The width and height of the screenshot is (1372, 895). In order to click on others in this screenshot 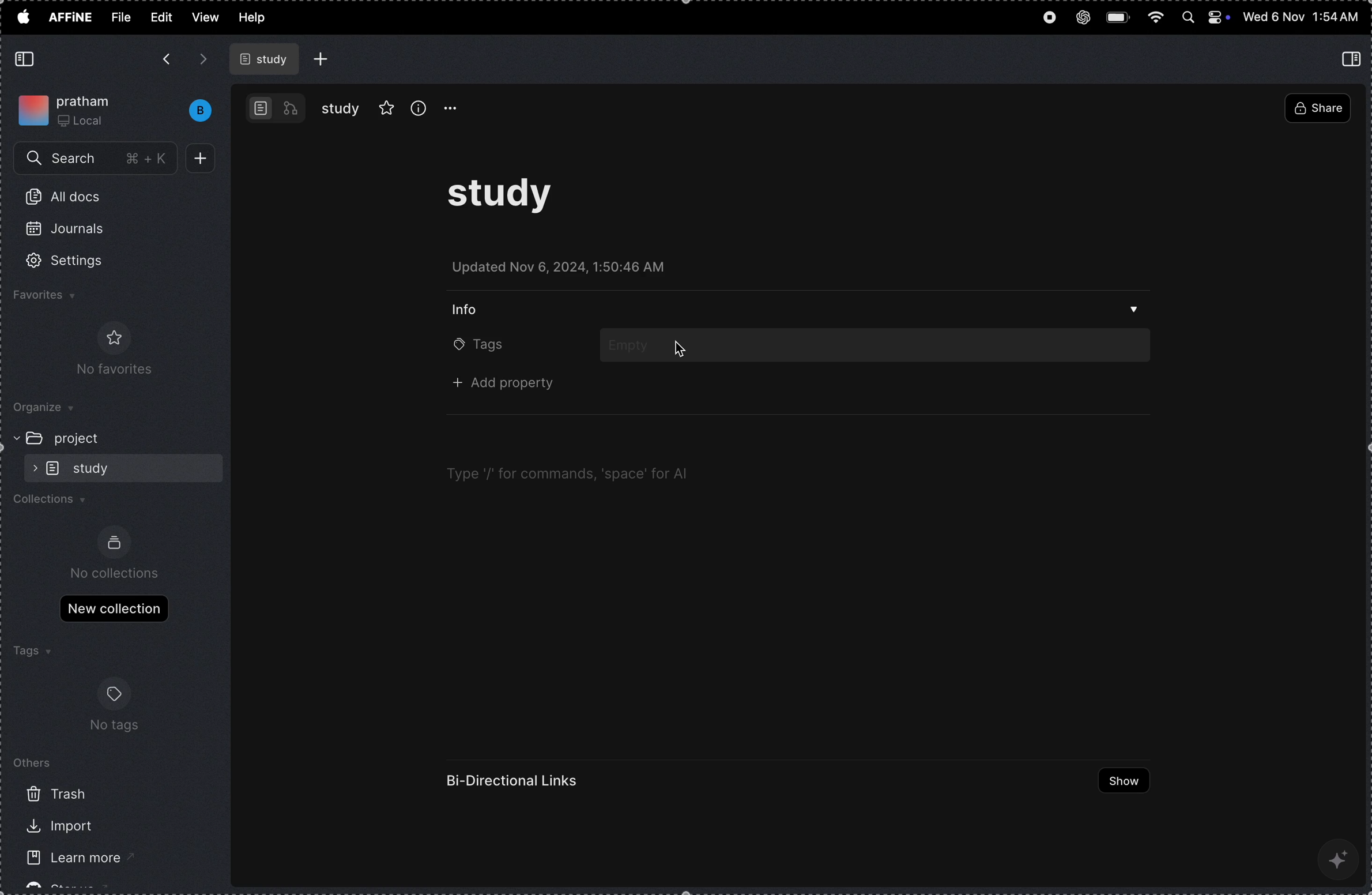, I will do `click(35, 762)`.